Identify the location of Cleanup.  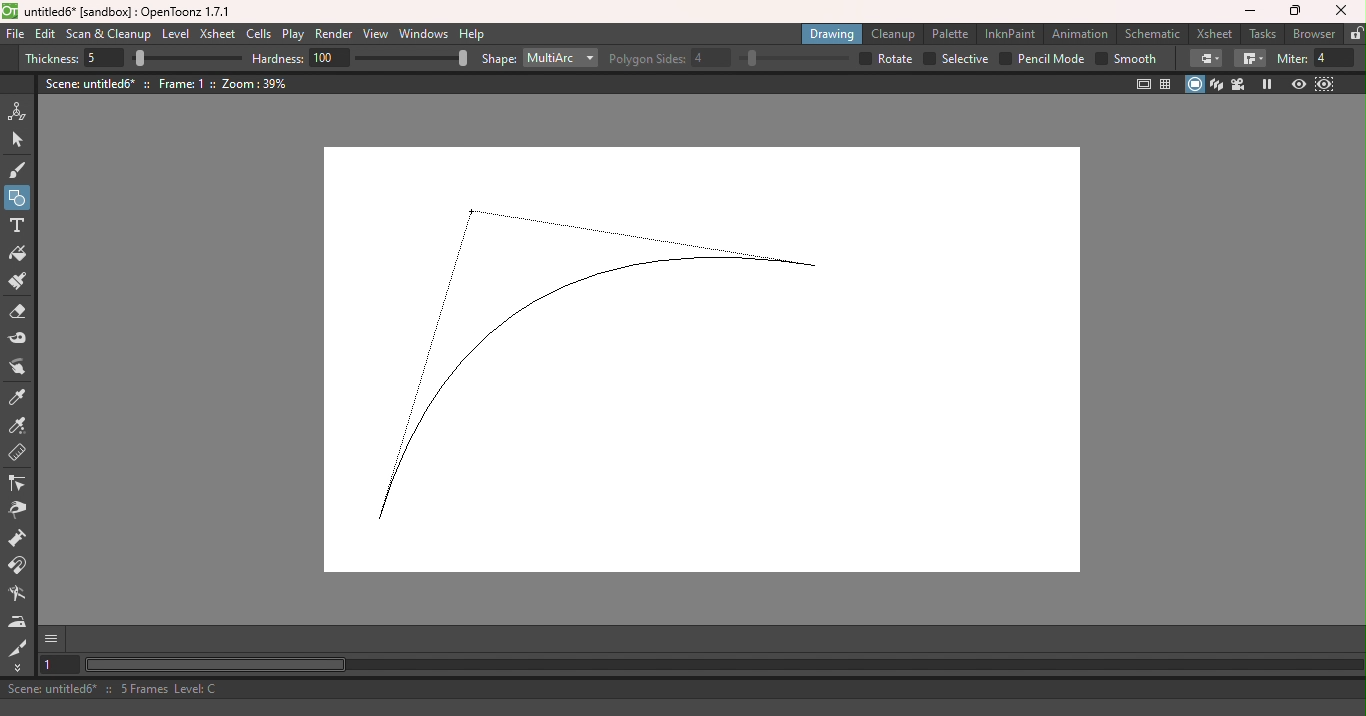
(892, 35).